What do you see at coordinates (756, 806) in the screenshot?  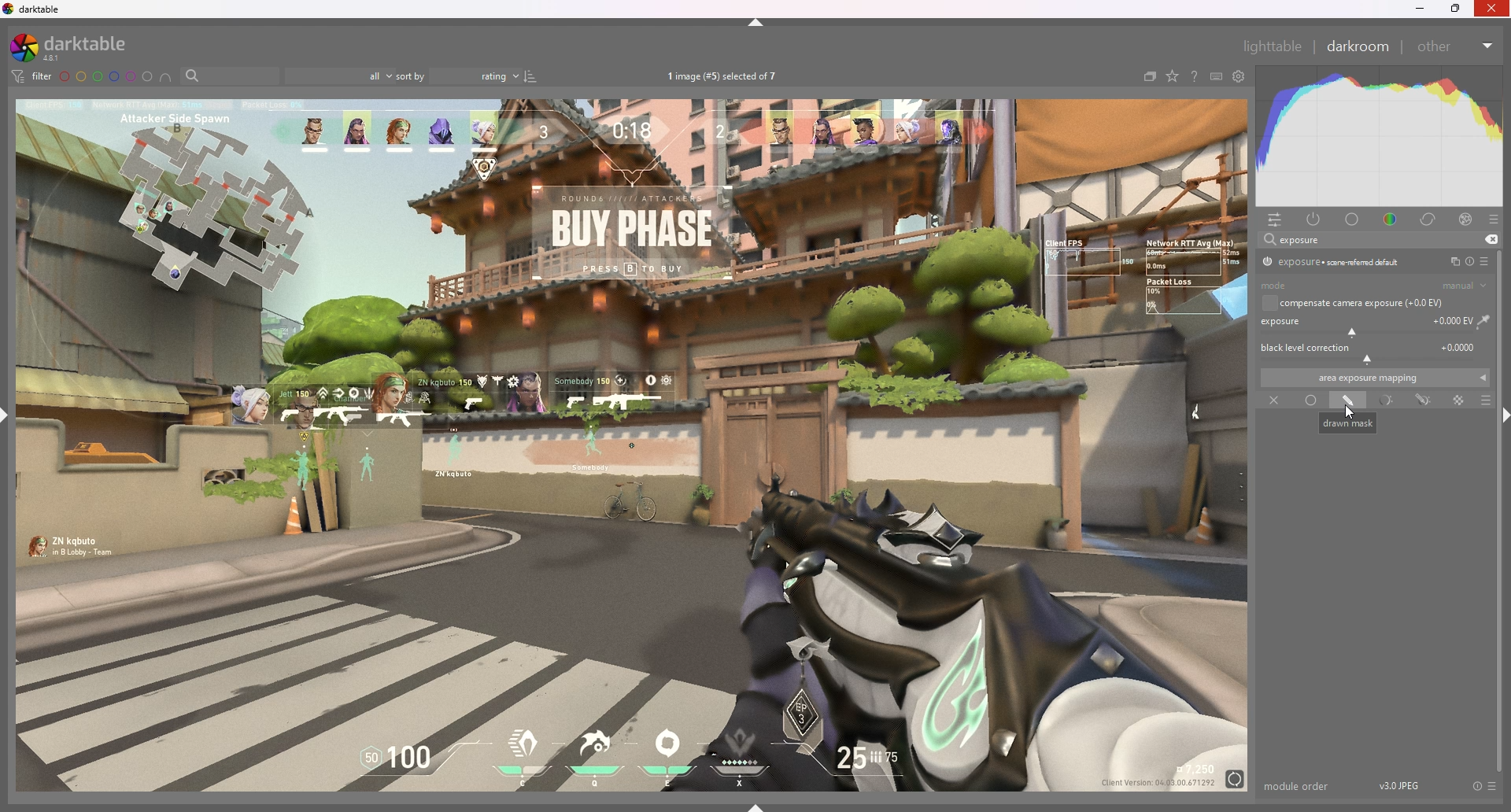 I see `show` at bounding box center [756, 806].